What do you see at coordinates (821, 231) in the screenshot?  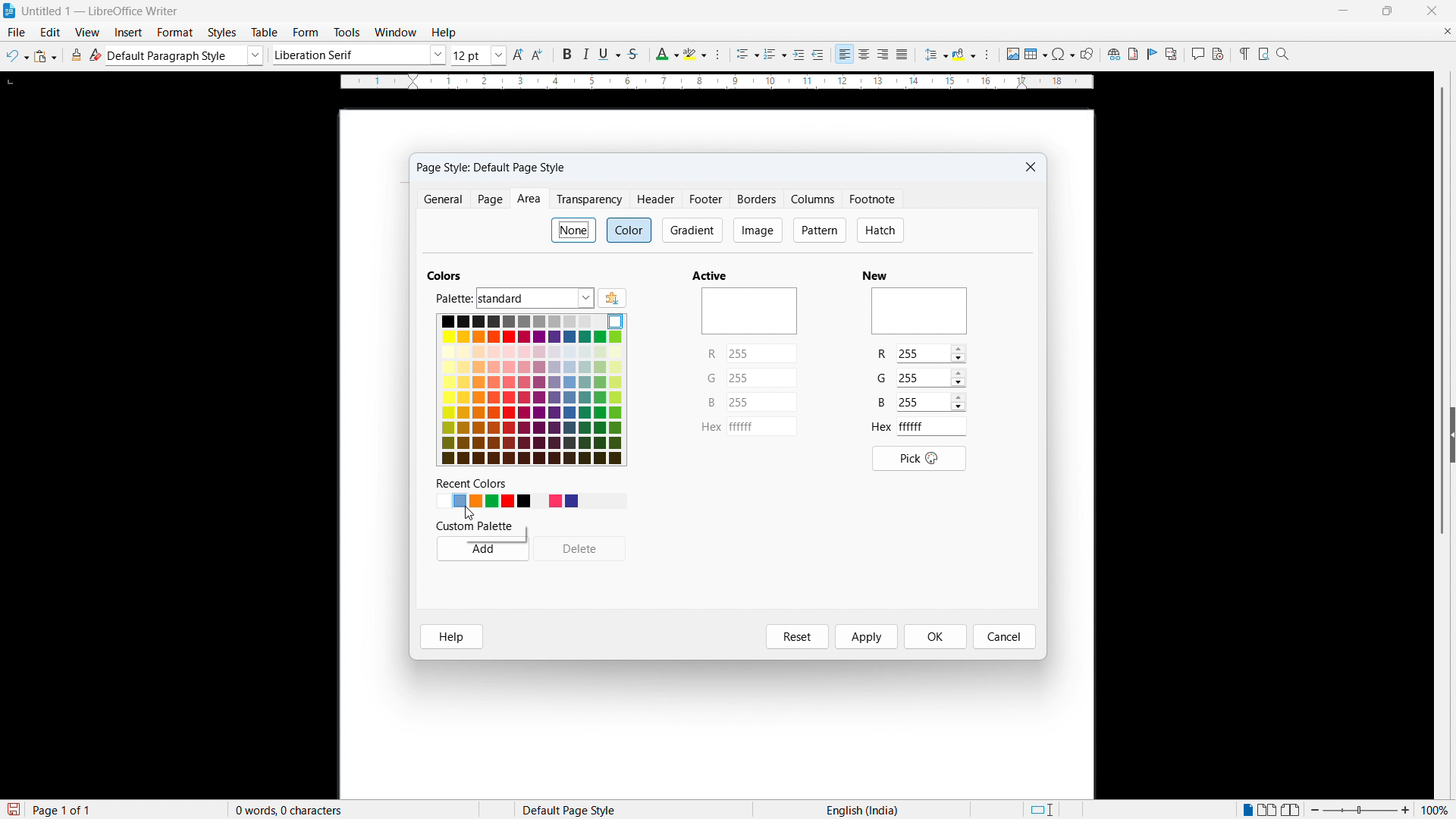 I see `pattern ` at bounding box center [821, 231].